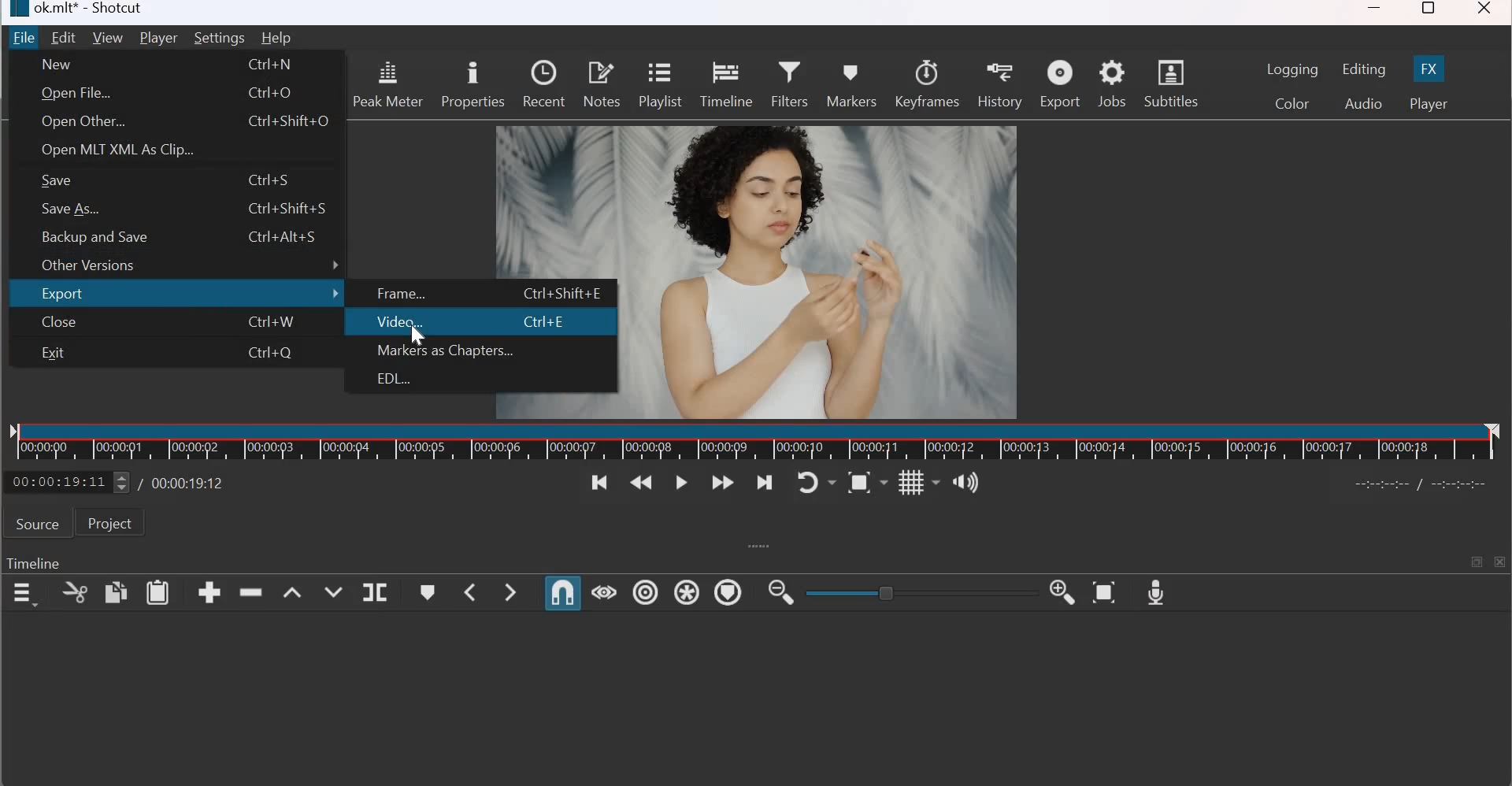  What do you see at coordinates (1112, 83) in the screenshot?
I see `Jobs` at bounding box center [1112, 83].